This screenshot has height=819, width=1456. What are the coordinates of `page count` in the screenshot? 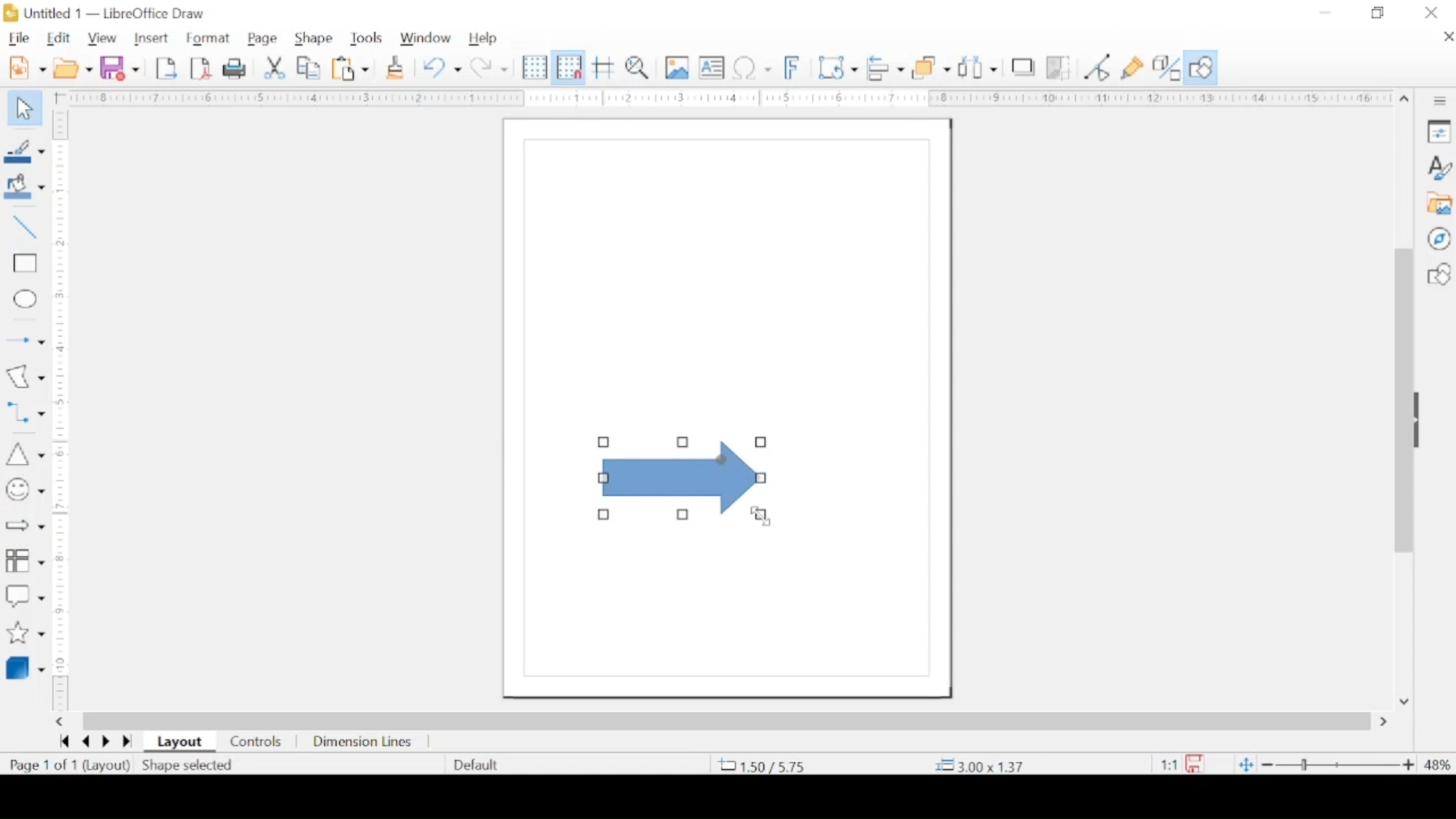 It's located at (46, 765).